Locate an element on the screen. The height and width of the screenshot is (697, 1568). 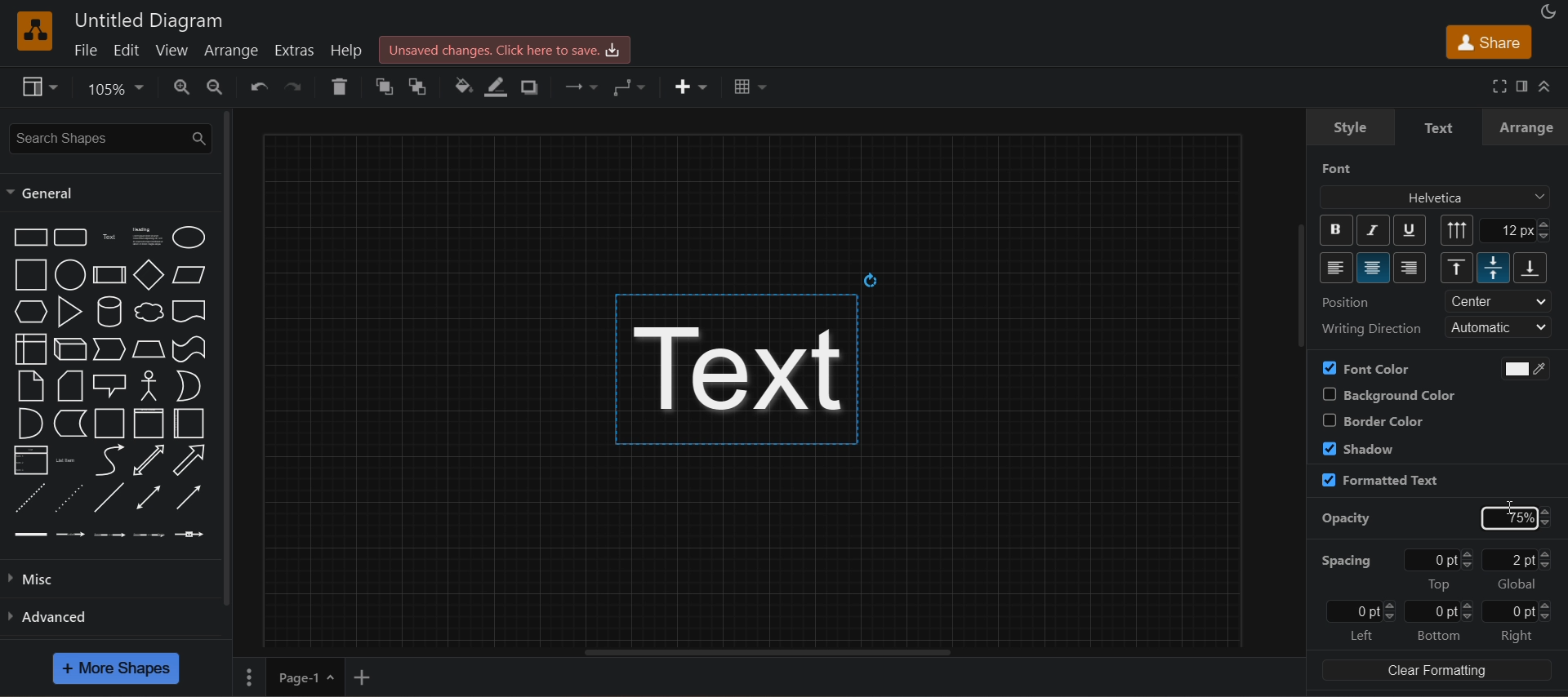
collapase/expand is located at coordinates (1545, 87).